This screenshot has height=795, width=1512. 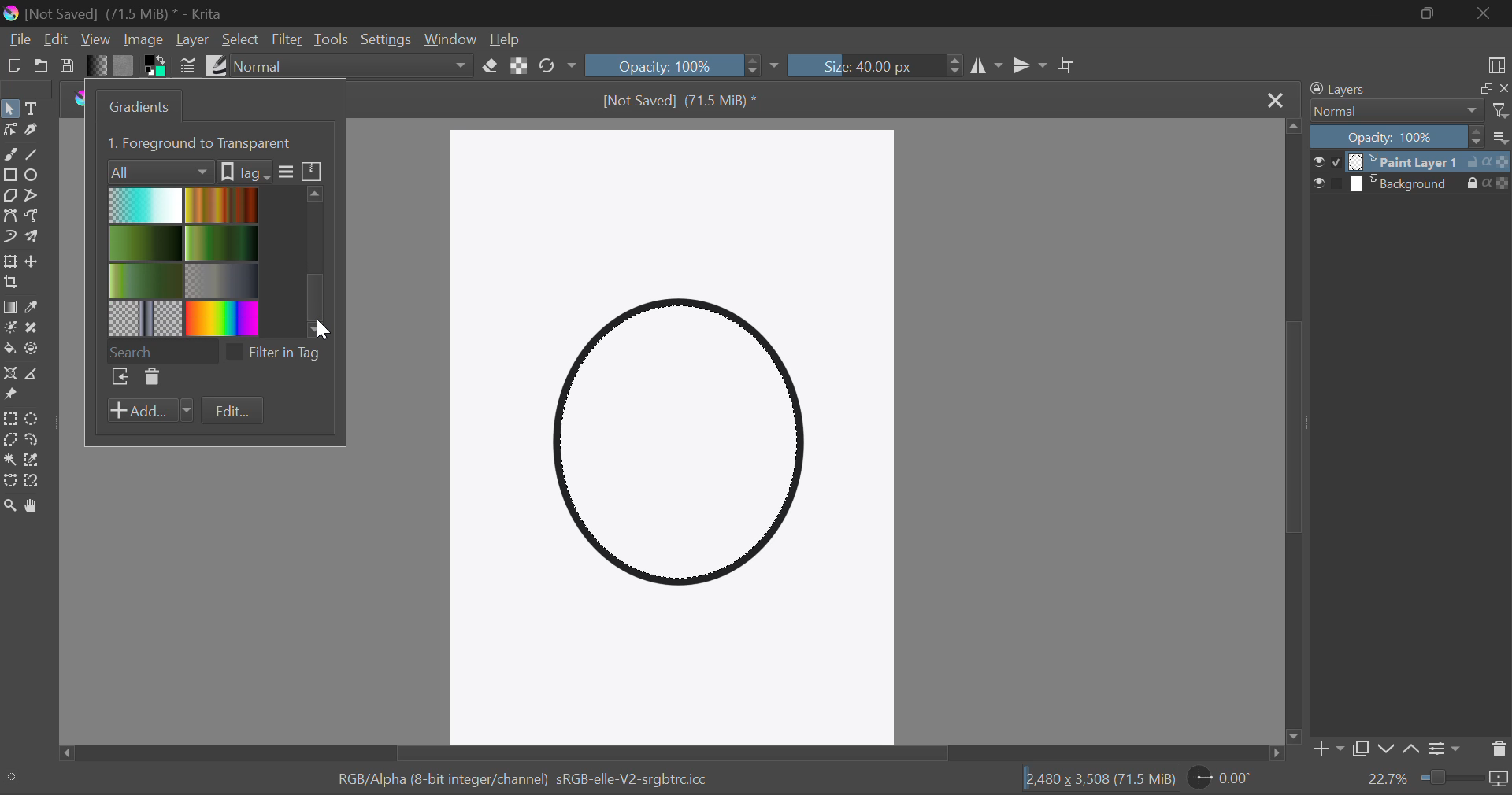 What do you see at coordinates (332, 39) in the screenshot?
I see `Tools` at bounding box center [332, 39].